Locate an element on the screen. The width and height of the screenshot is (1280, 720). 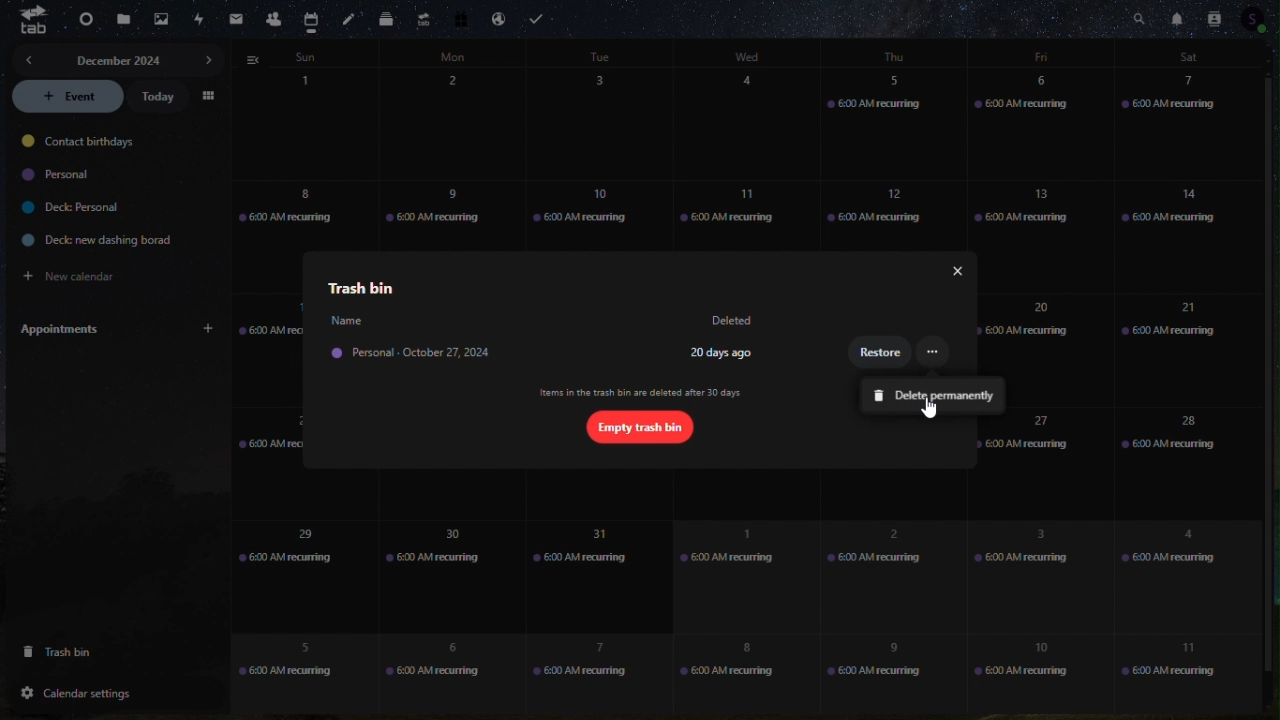
more options is located at coordinates (933, 353).